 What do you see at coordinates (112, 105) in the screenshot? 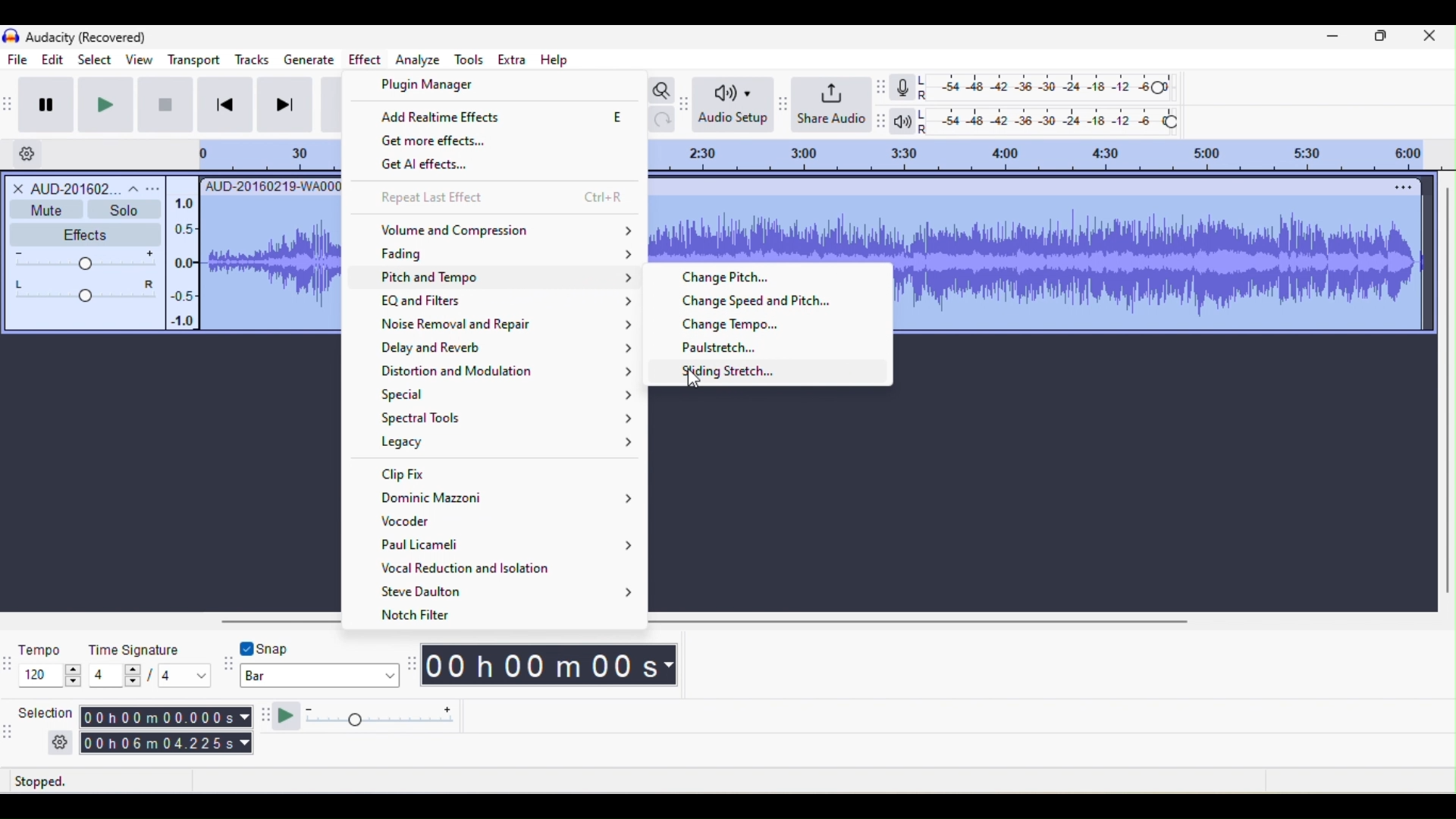
I see `play` at bounding box center [112, 105].